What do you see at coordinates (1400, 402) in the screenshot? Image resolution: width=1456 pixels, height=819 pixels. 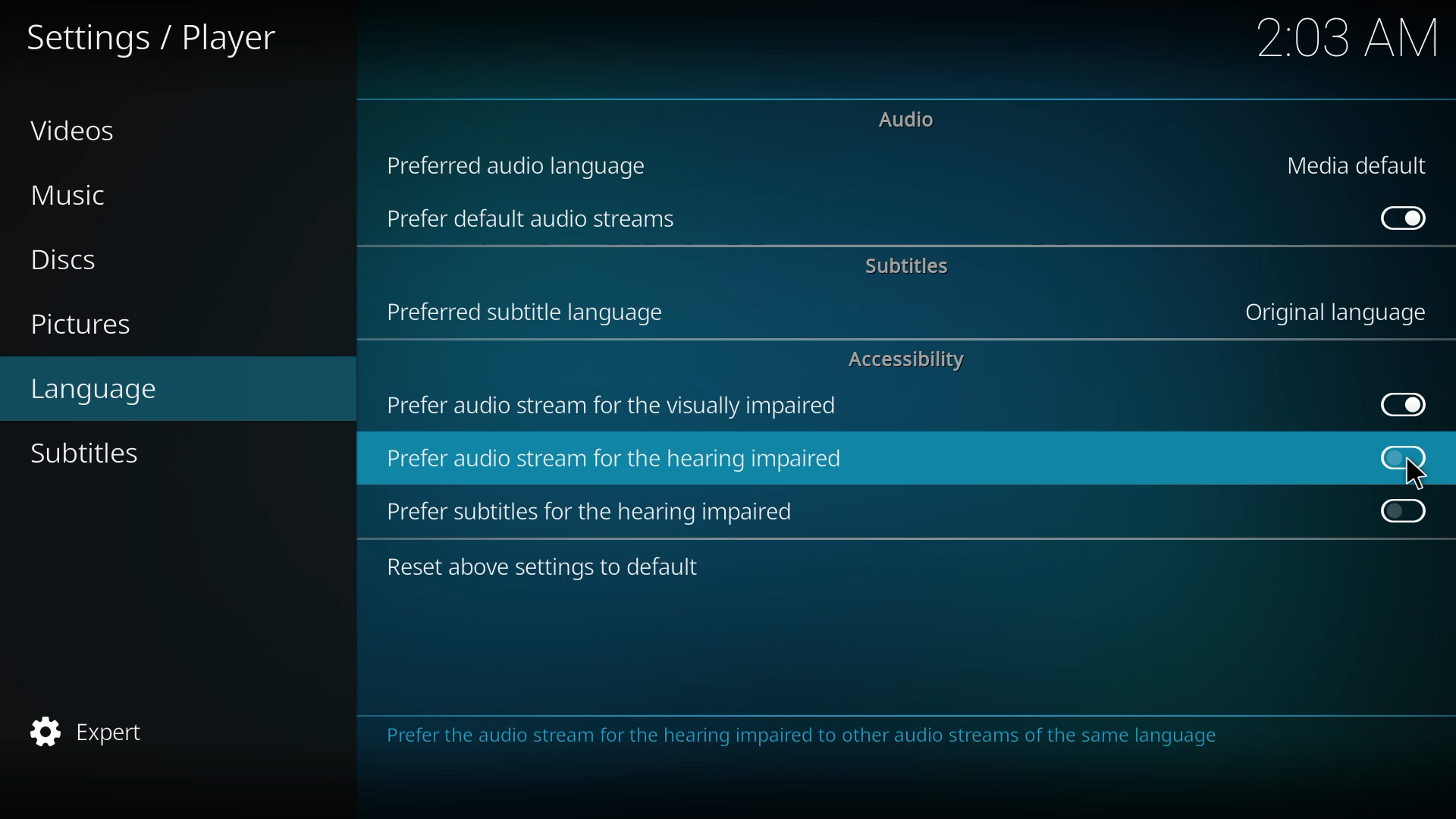 I see `enabled` at bounding box center [1400, 402].